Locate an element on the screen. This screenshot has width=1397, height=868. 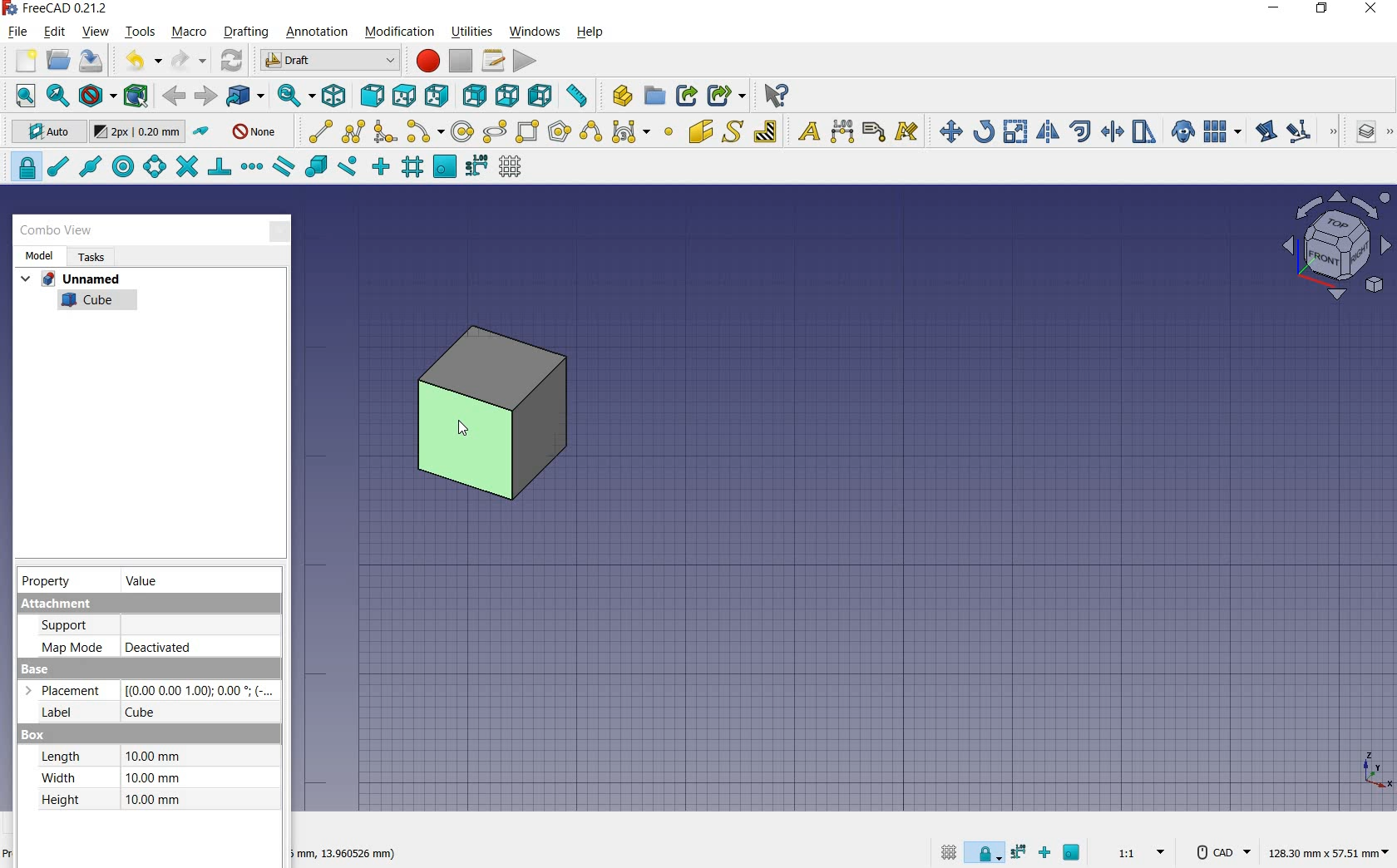
snap ortho is located at coordinates (1045, 854).